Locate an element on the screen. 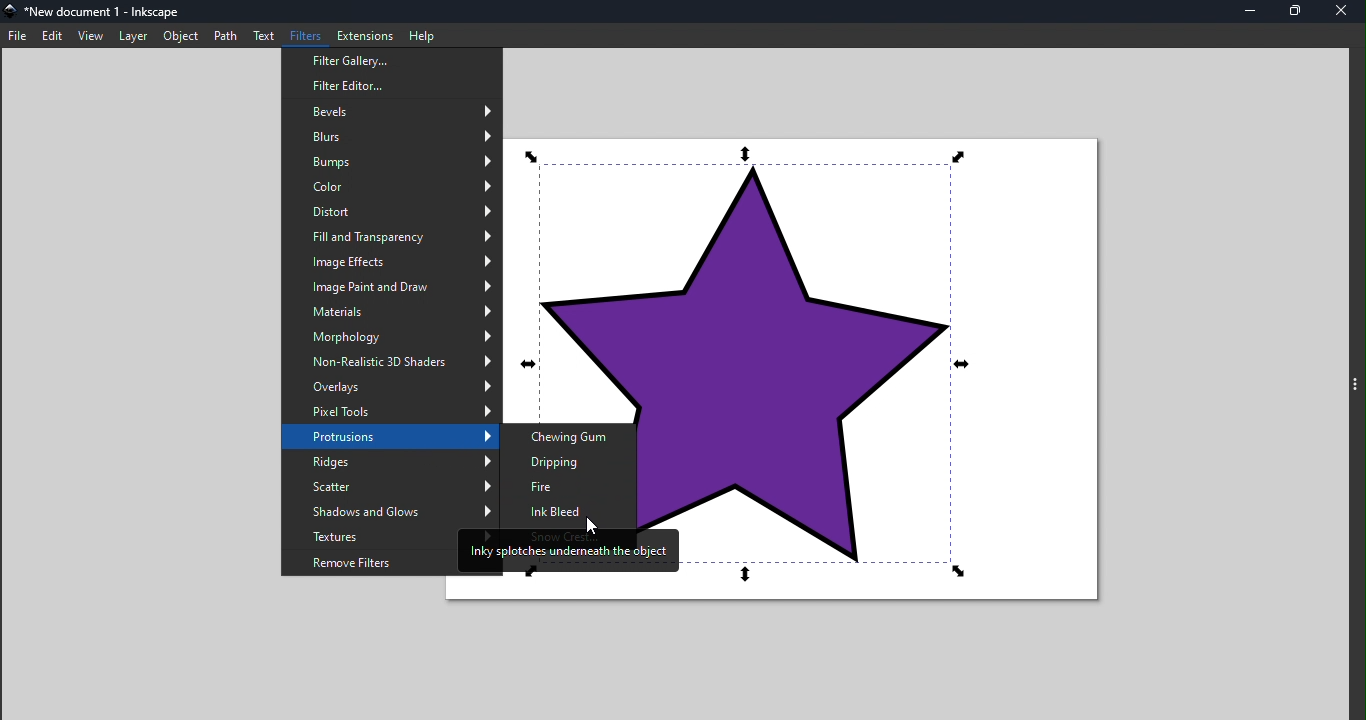  Fire is located at coordinates (568, 489).